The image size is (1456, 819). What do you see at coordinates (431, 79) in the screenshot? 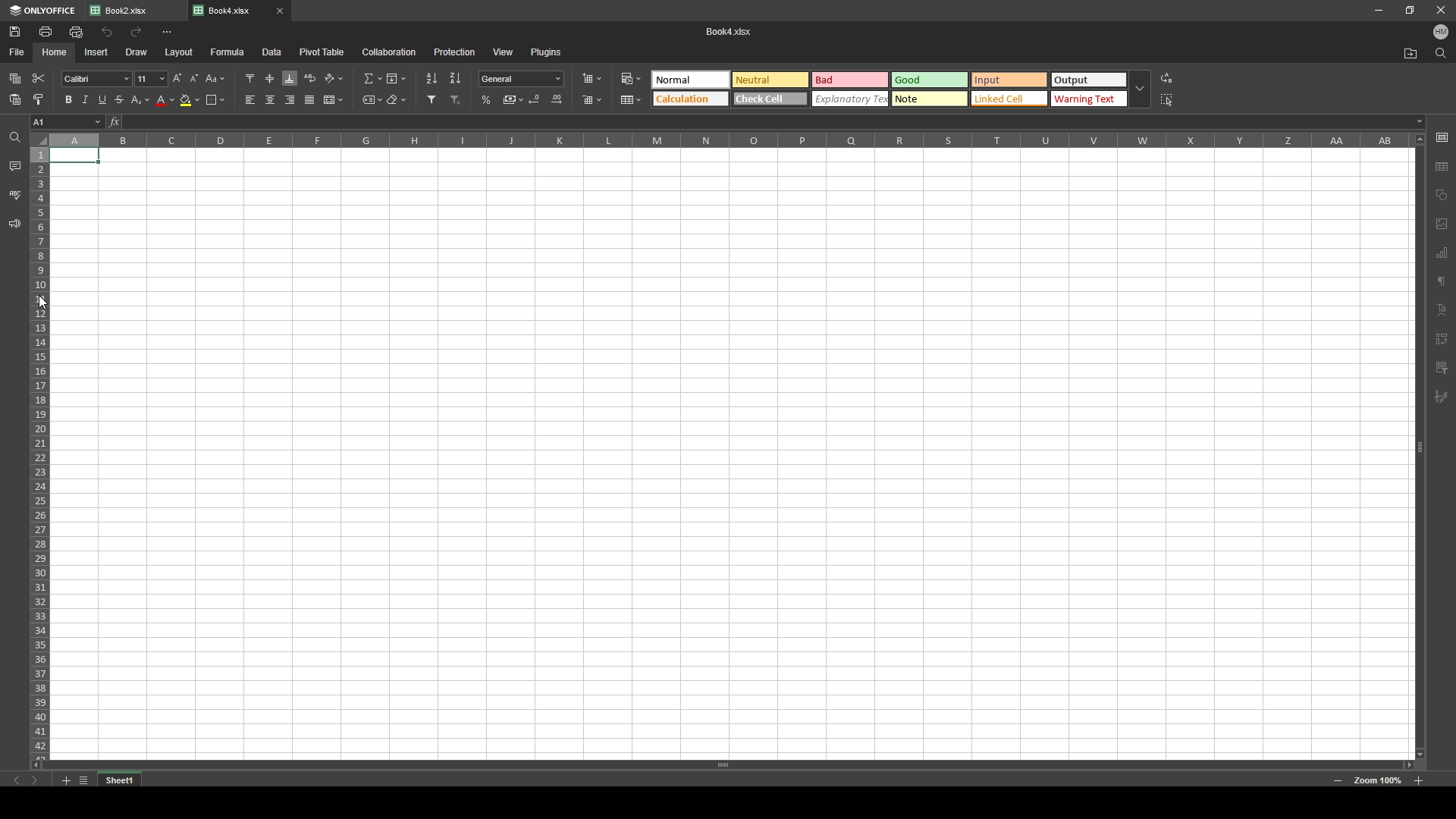
I see `sort ascending` at bounding box center [431, 79].